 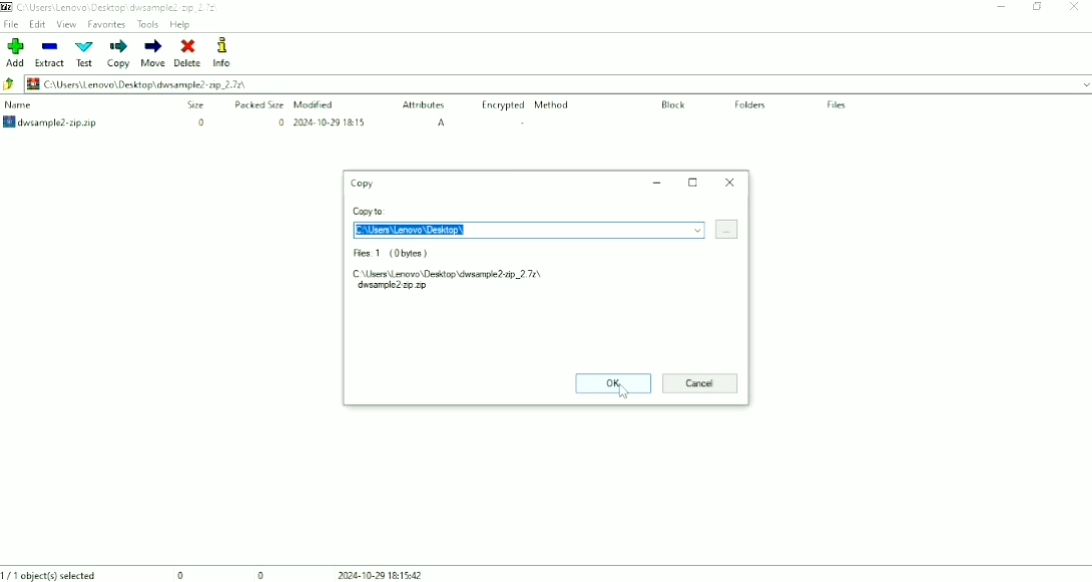 What do you see at coordinates (119, 7) in the screenshot?
I see `C:\Users\Lenovo\Desktop\dwsample2-zip_2.7z` at bounding box center [119, 7].